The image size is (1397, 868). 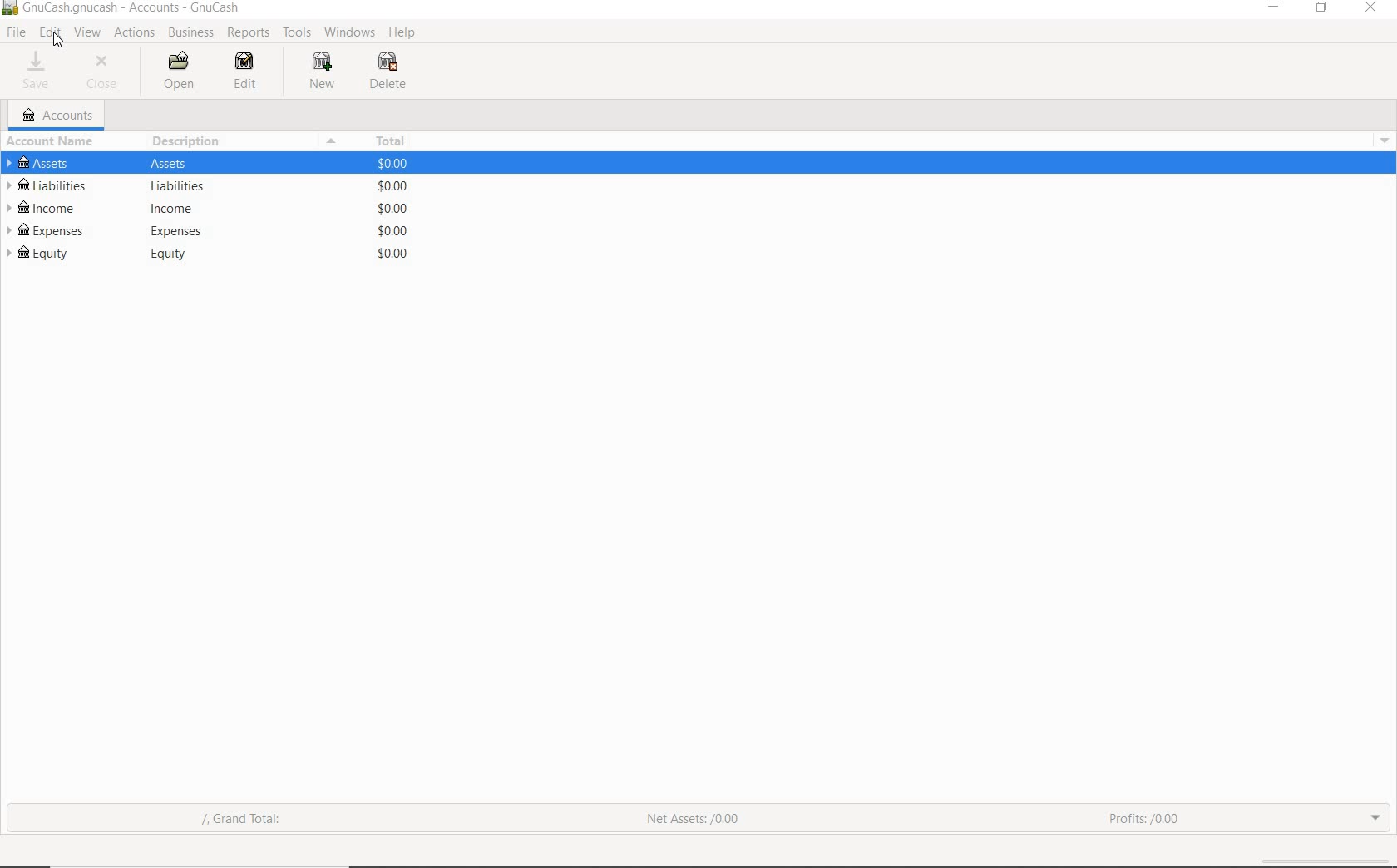 What do you see at coordinates (406, 186) in the screenshot?
I see `` at bounding box center [406, 186].